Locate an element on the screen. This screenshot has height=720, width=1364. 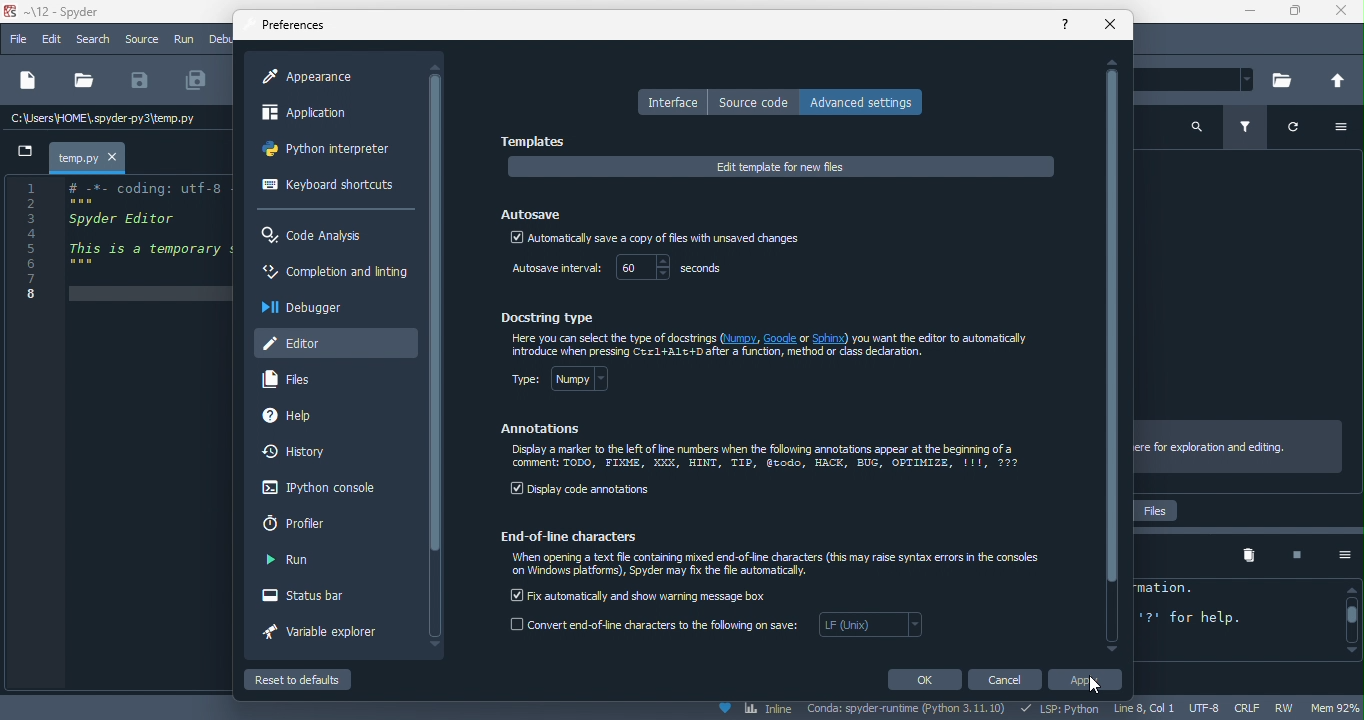
run is located at coordinates (289, 561).